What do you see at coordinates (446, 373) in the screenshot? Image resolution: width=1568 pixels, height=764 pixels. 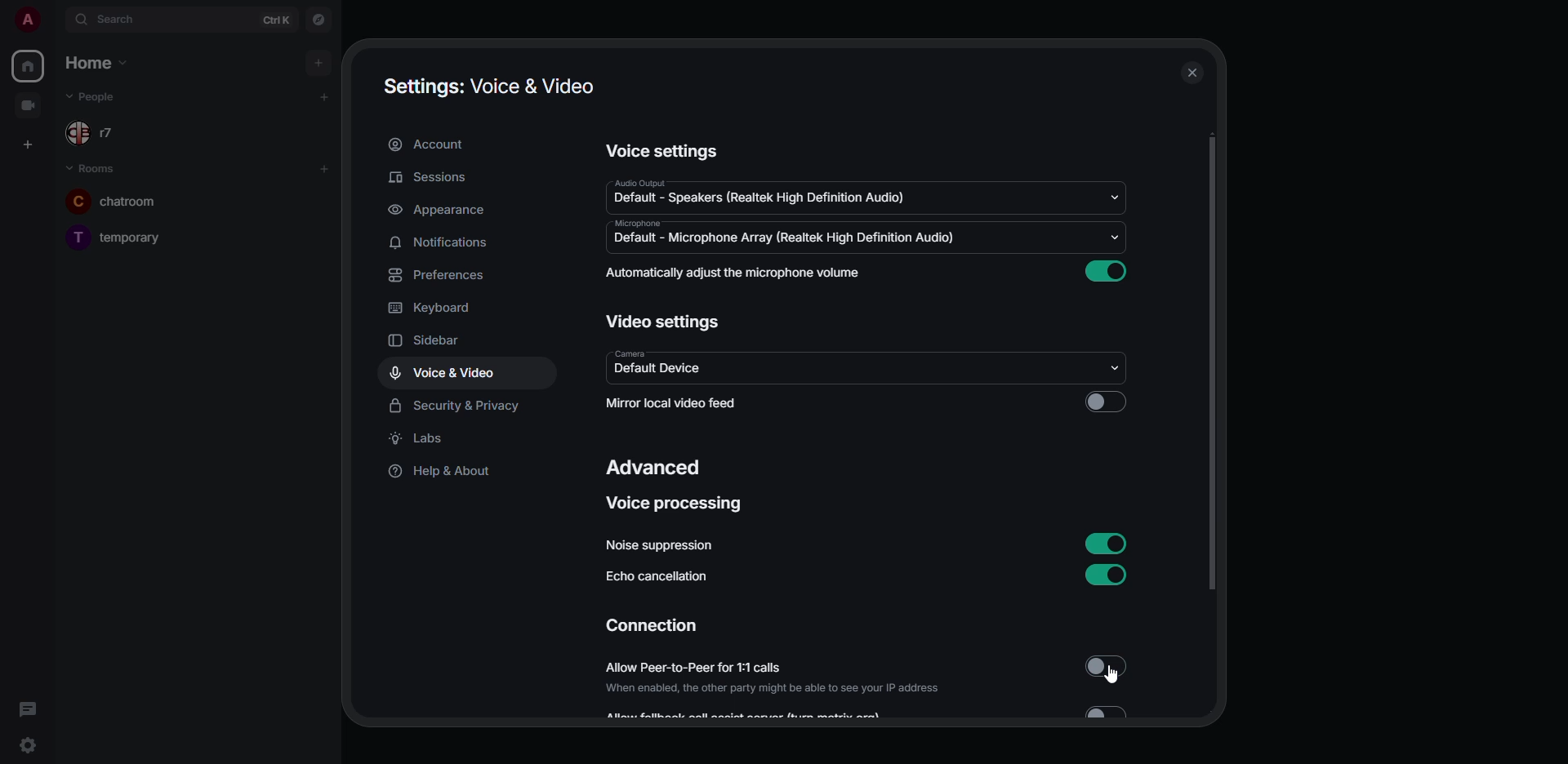 I see `voice & video` at bounding box center [446, 373].